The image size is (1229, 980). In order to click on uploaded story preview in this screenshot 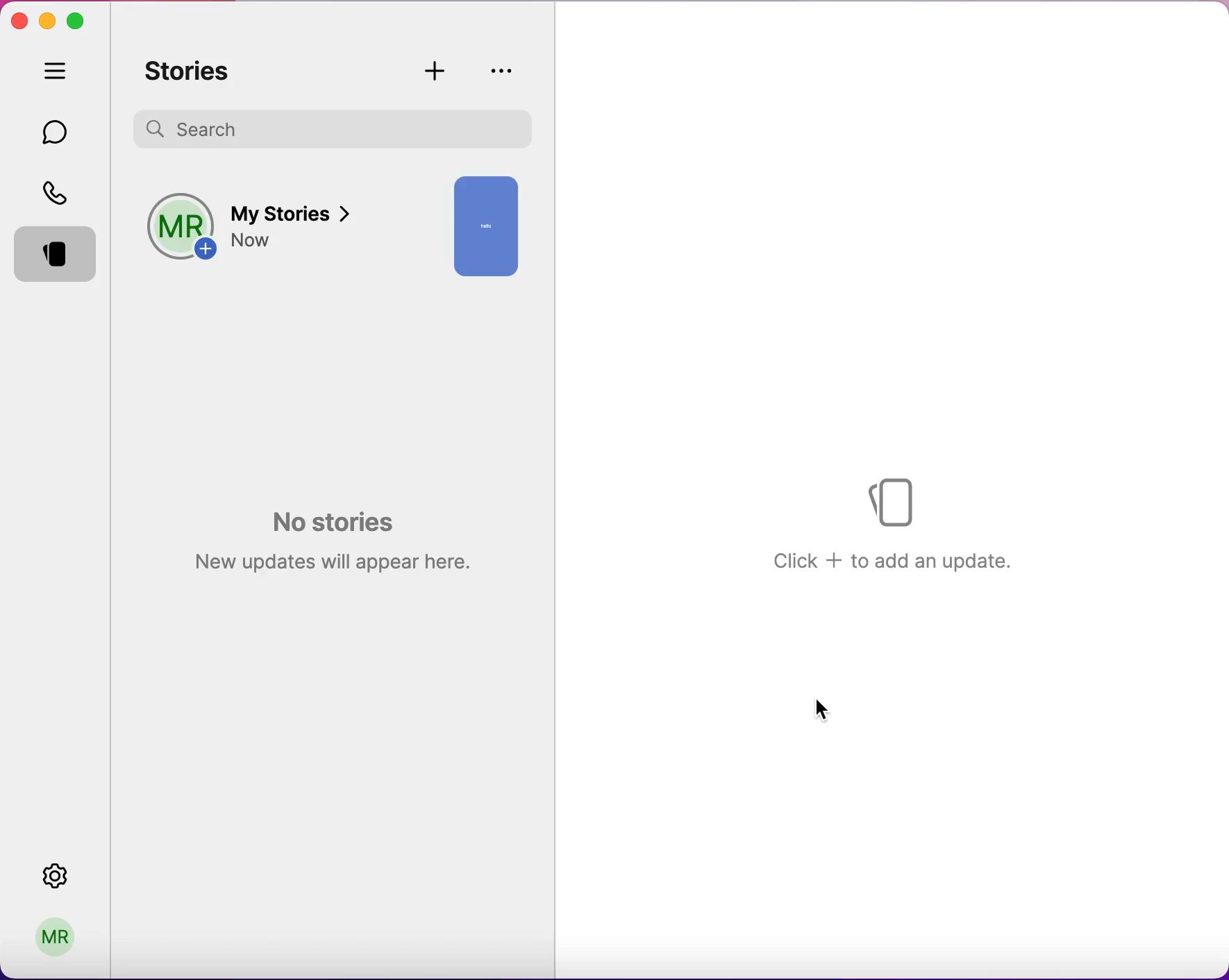, I will do `click(486, 227)`.